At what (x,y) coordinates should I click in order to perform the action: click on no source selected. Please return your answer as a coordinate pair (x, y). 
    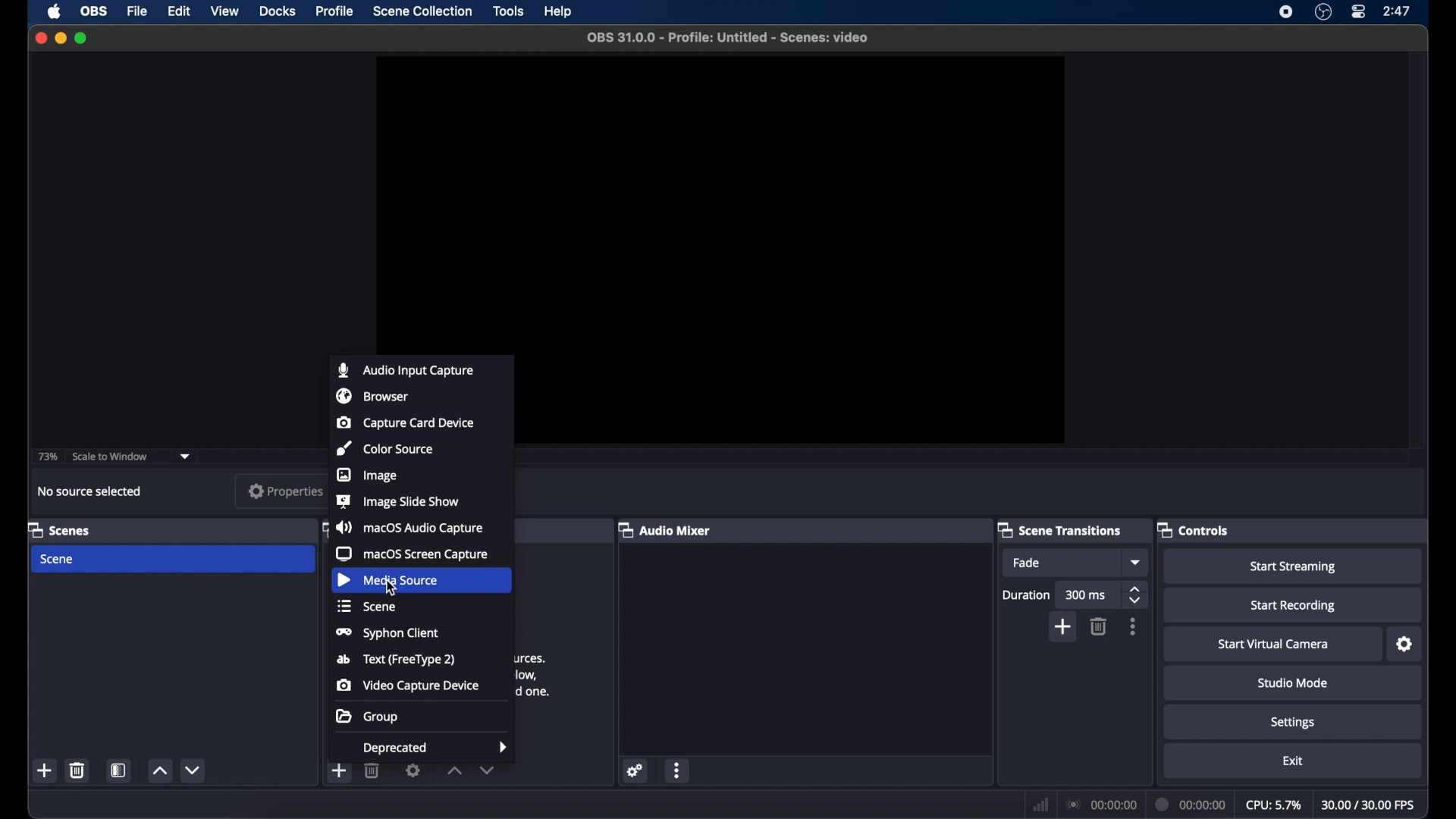
    Looking at the image, I should click on (89, 491).